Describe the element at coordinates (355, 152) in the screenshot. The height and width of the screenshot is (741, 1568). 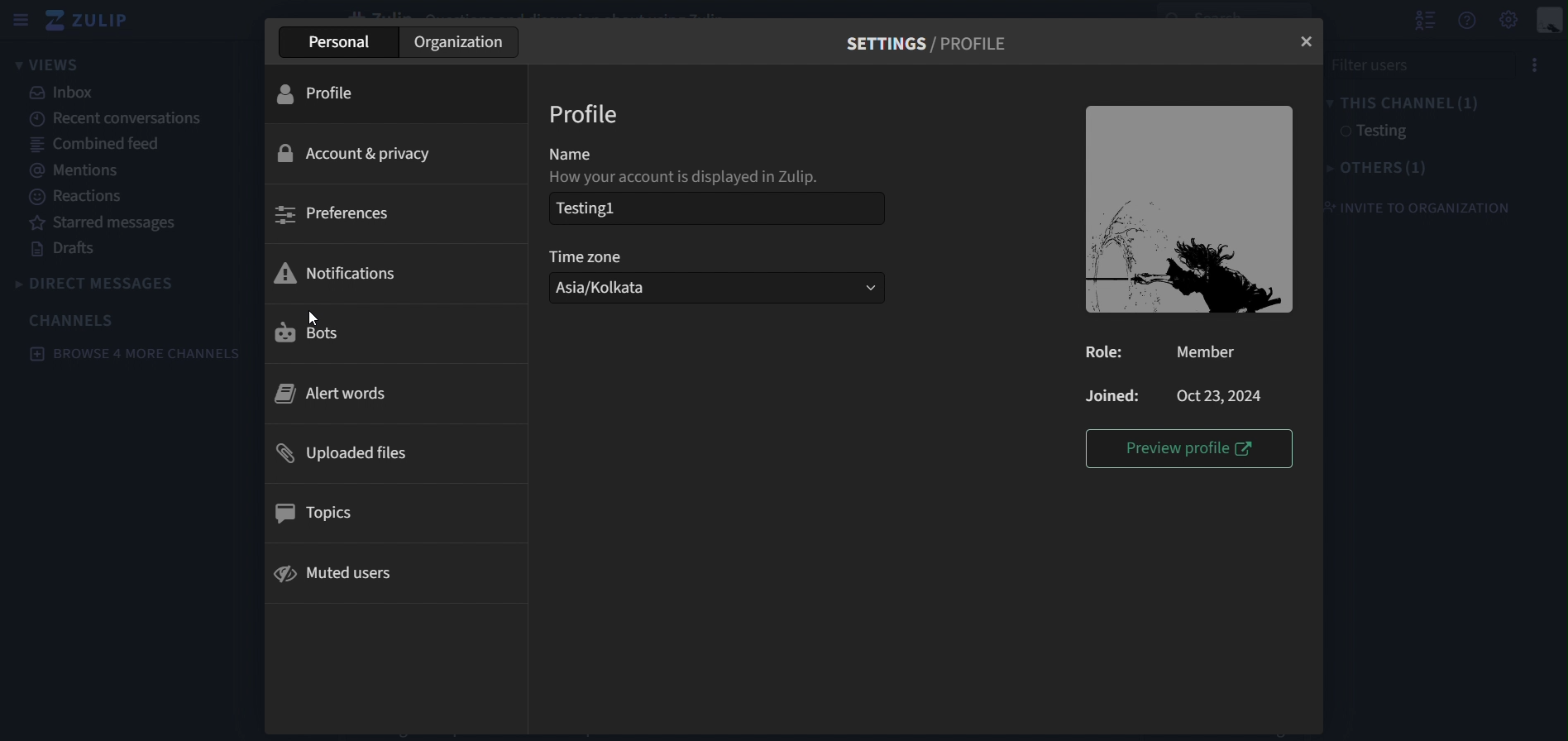
I see `account & privacy` at that location.